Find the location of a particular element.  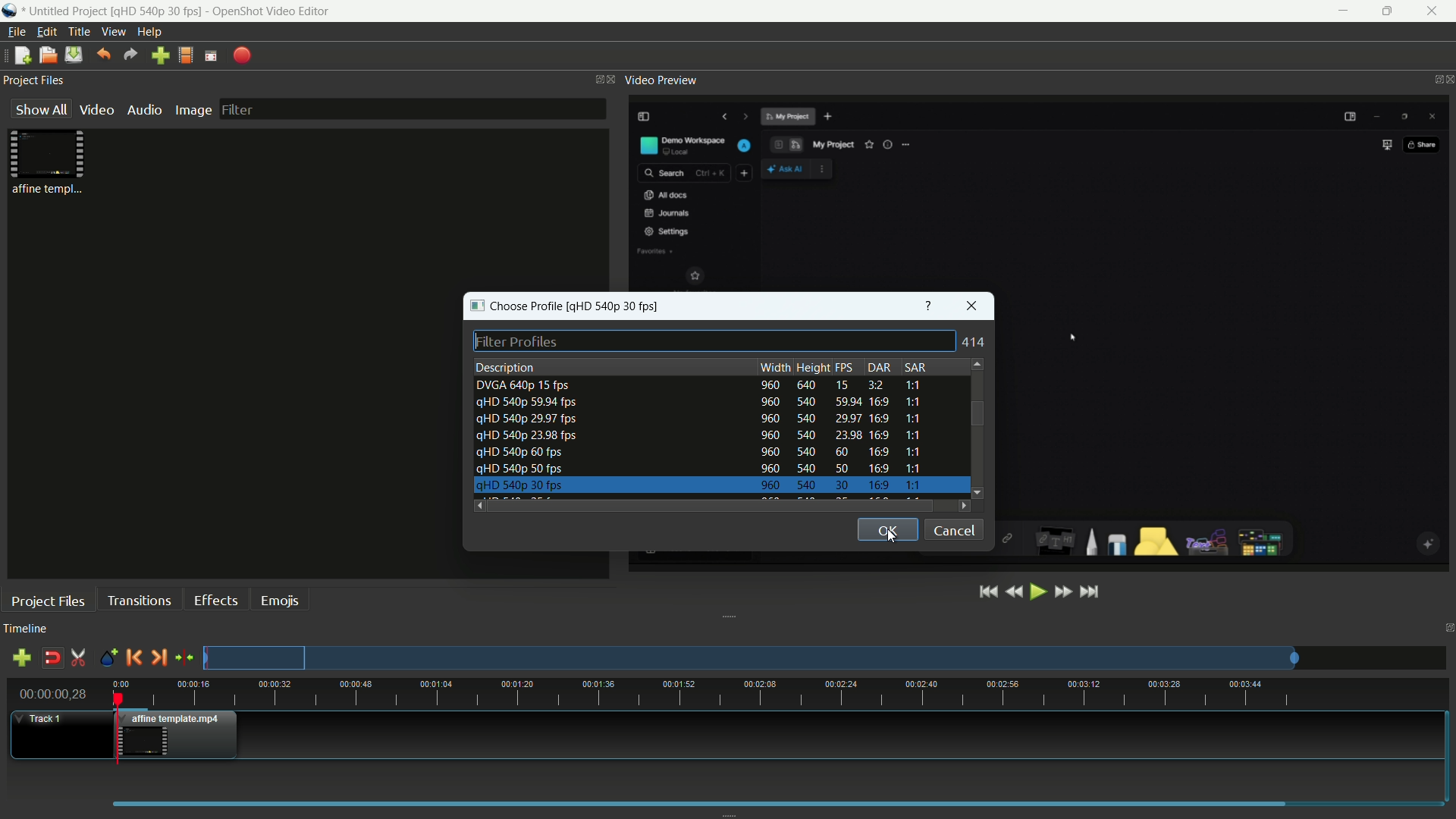

image is located at coordinates (193, 111).